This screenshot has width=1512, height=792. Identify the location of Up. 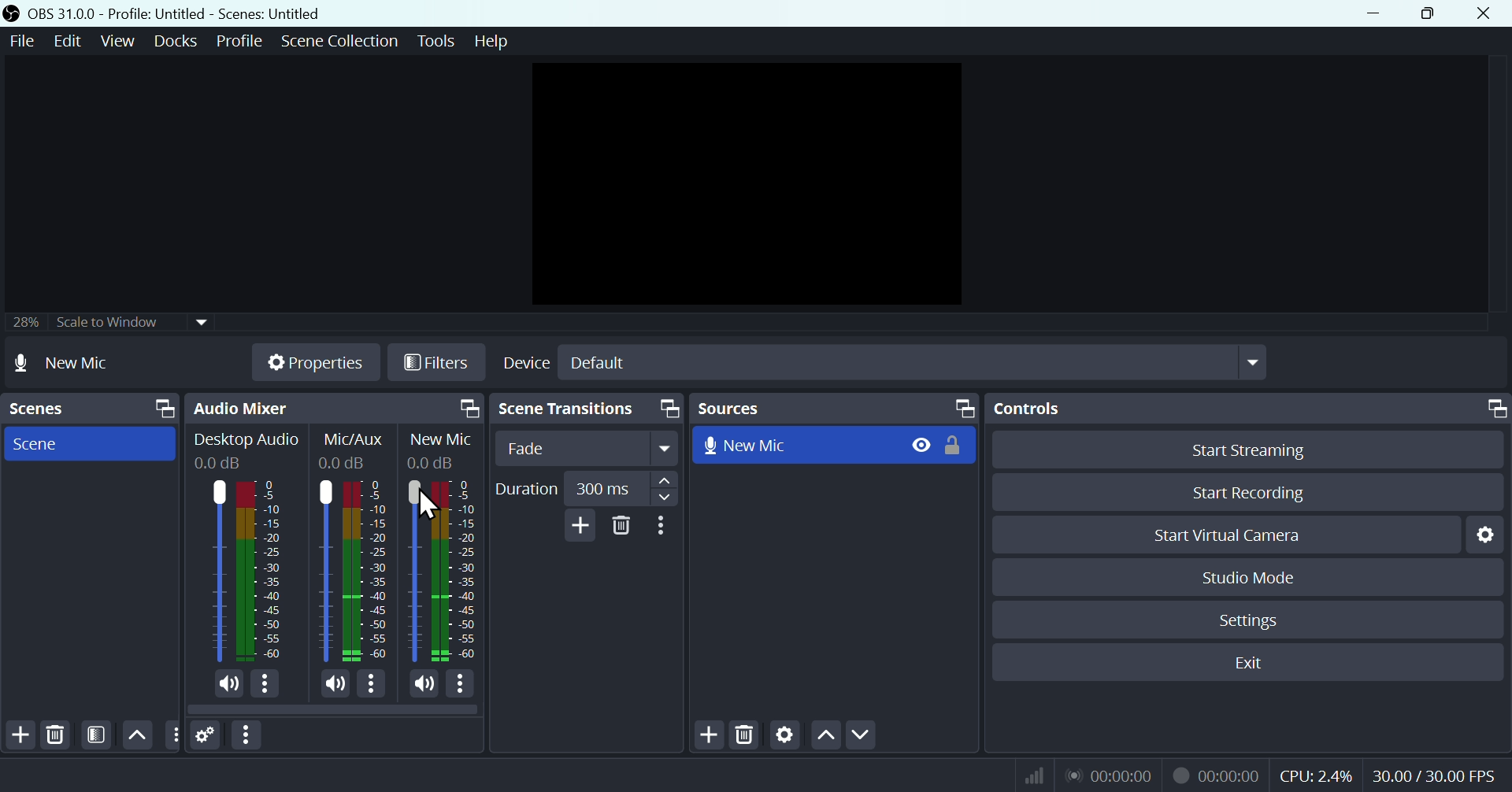
(825, 738).